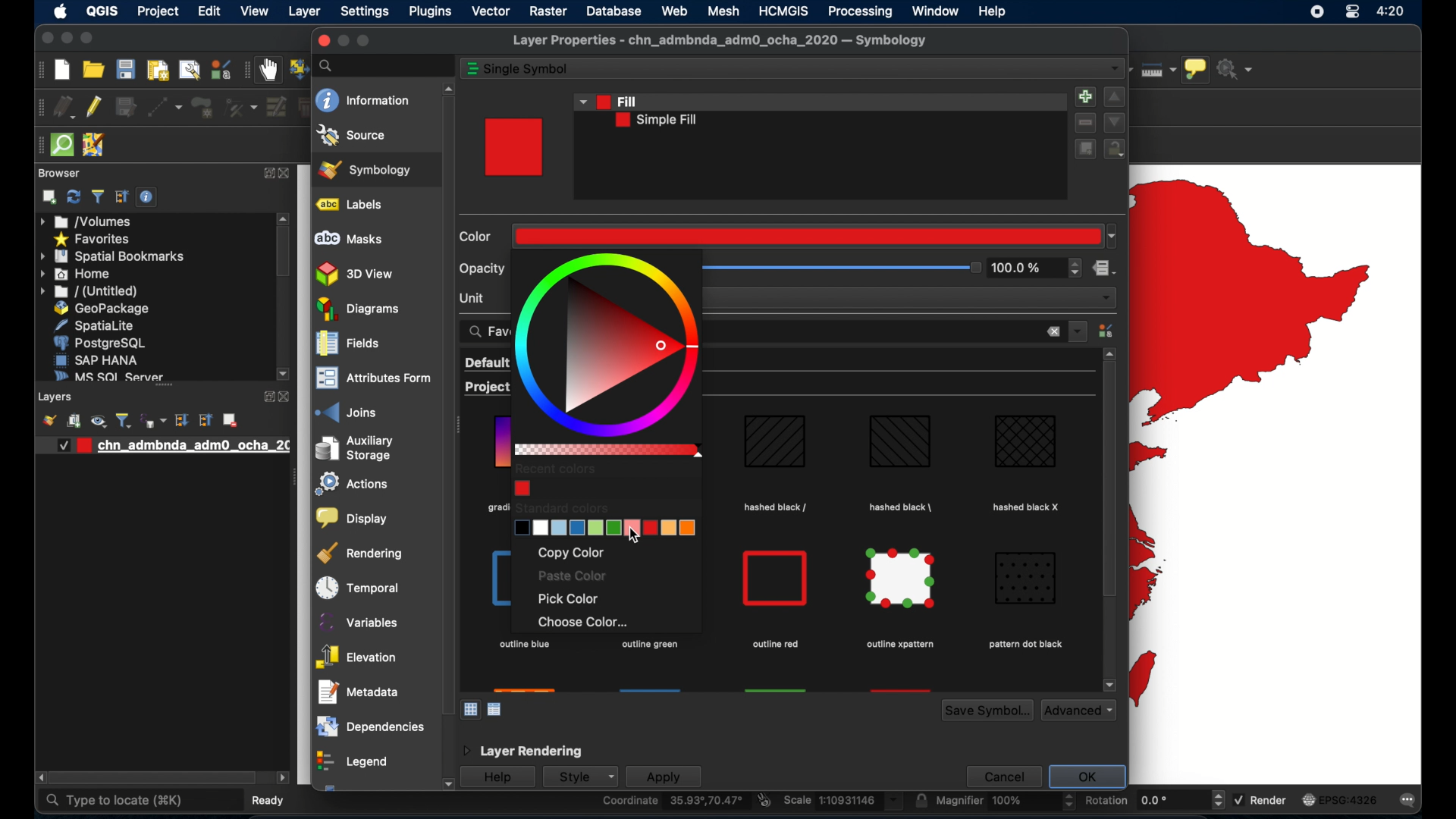 The image size is (1456, 819). What do you see at coordinates (607, 529) in the screenshot?
I see `standard color swatches` at bounding box center [607, 529].